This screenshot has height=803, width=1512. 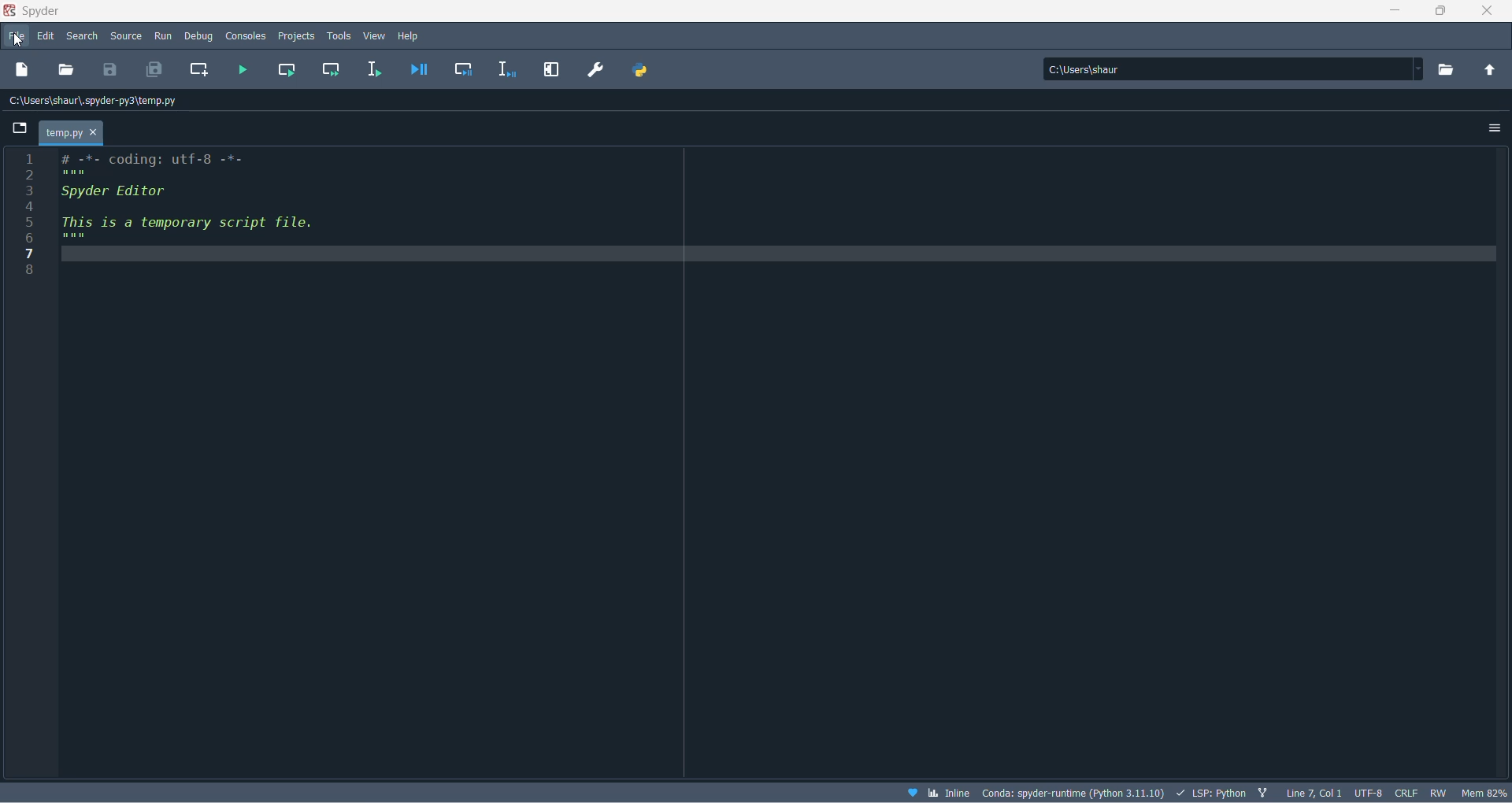 I want to click on options, so click(x=1487, y=126).